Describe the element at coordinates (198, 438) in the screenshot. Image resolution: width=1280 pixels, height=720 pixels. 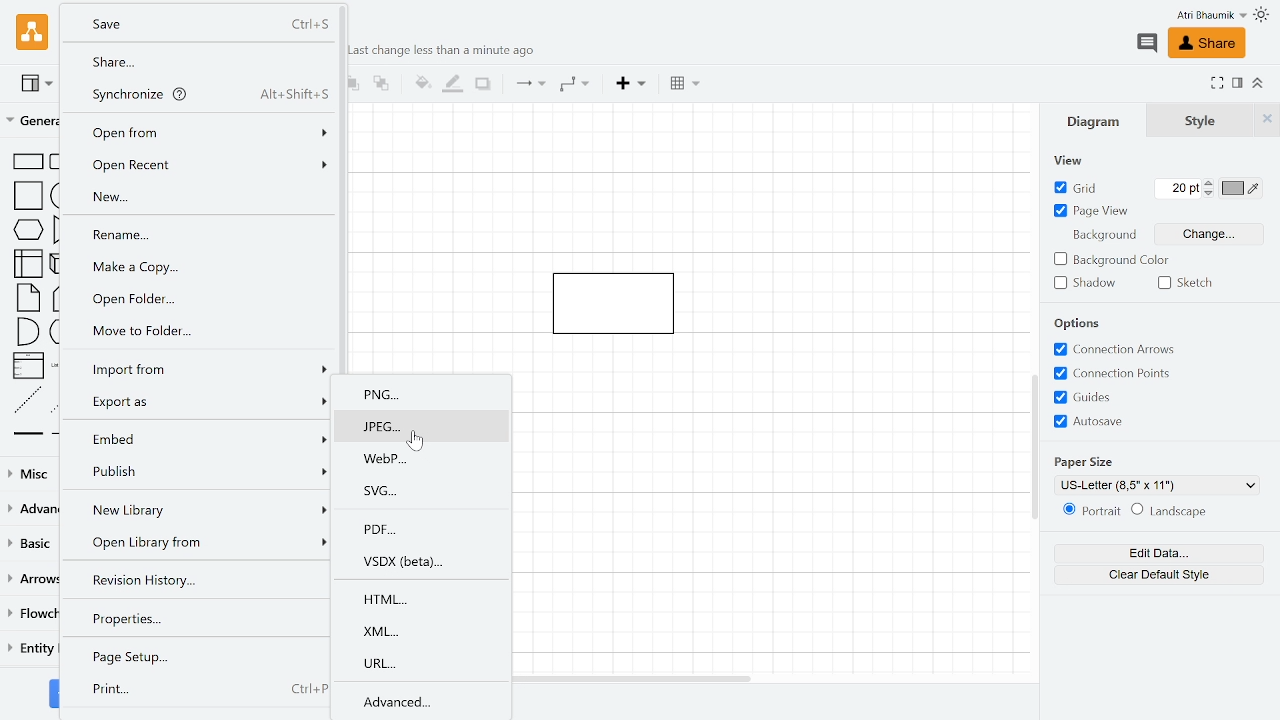
I see `Embed` at that location.